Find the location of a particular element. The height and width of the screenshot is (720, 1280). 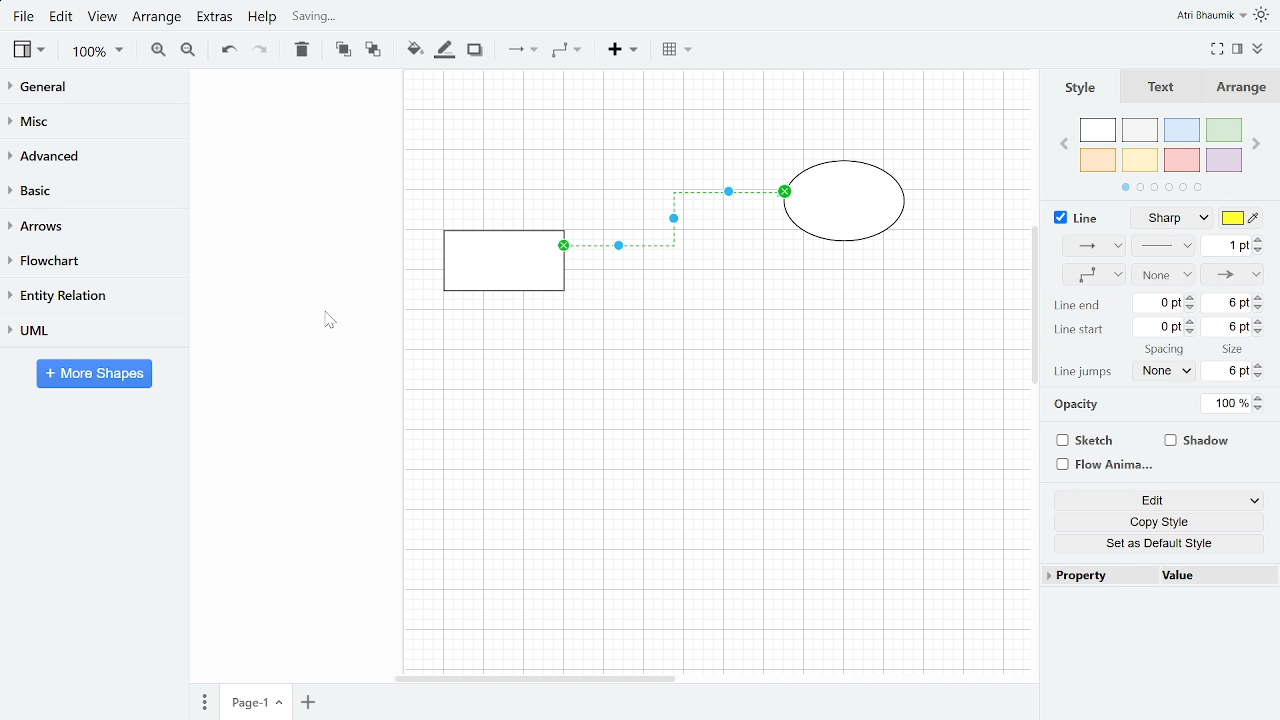

opacity is located at coordinates (1071, 406).